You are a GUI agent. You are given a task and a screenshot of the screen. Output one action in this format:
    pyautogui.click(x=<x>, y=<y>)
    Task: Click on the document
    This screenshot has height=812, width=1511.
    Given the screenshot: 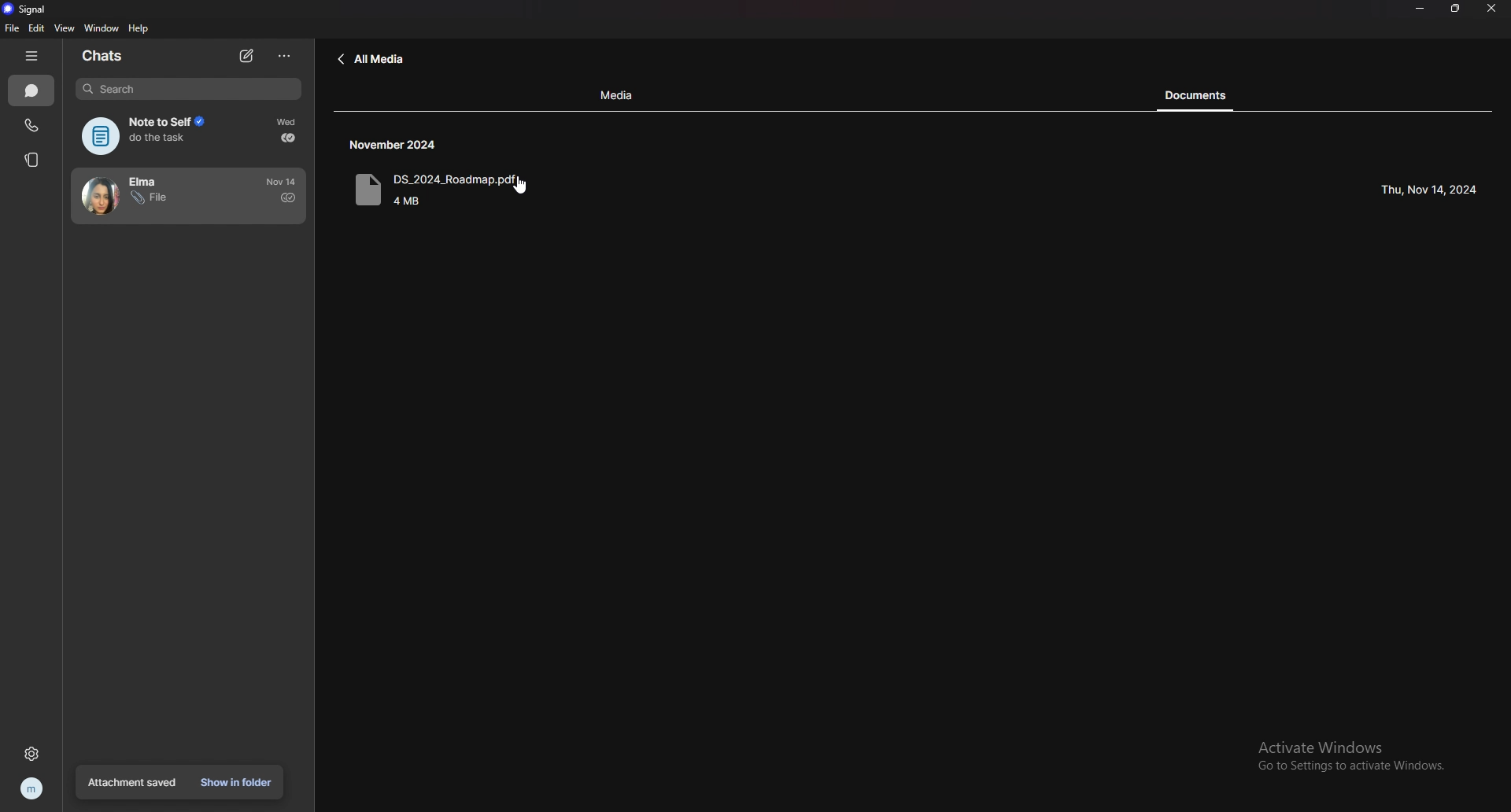 What is the action you would take?
    pyautogui.click(x=470, y=192)
    